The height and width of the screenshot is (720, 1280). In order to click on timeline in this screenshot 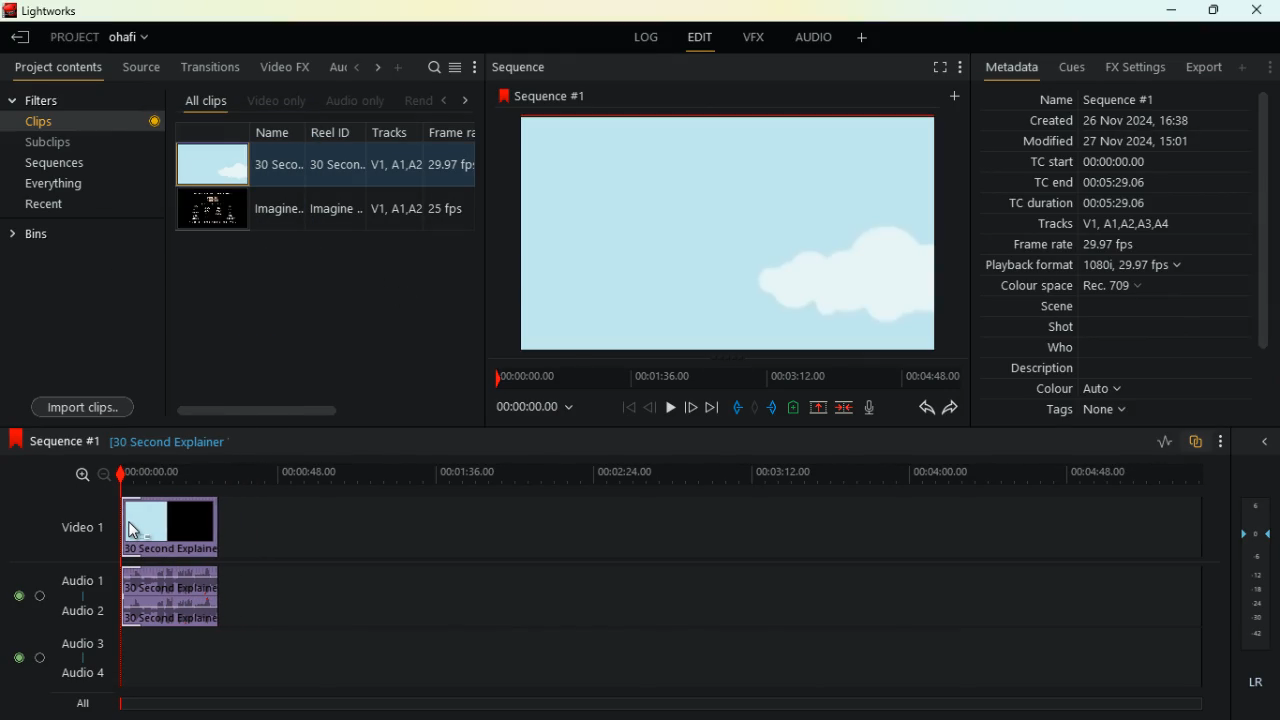, I will do `click(666, 473)`.